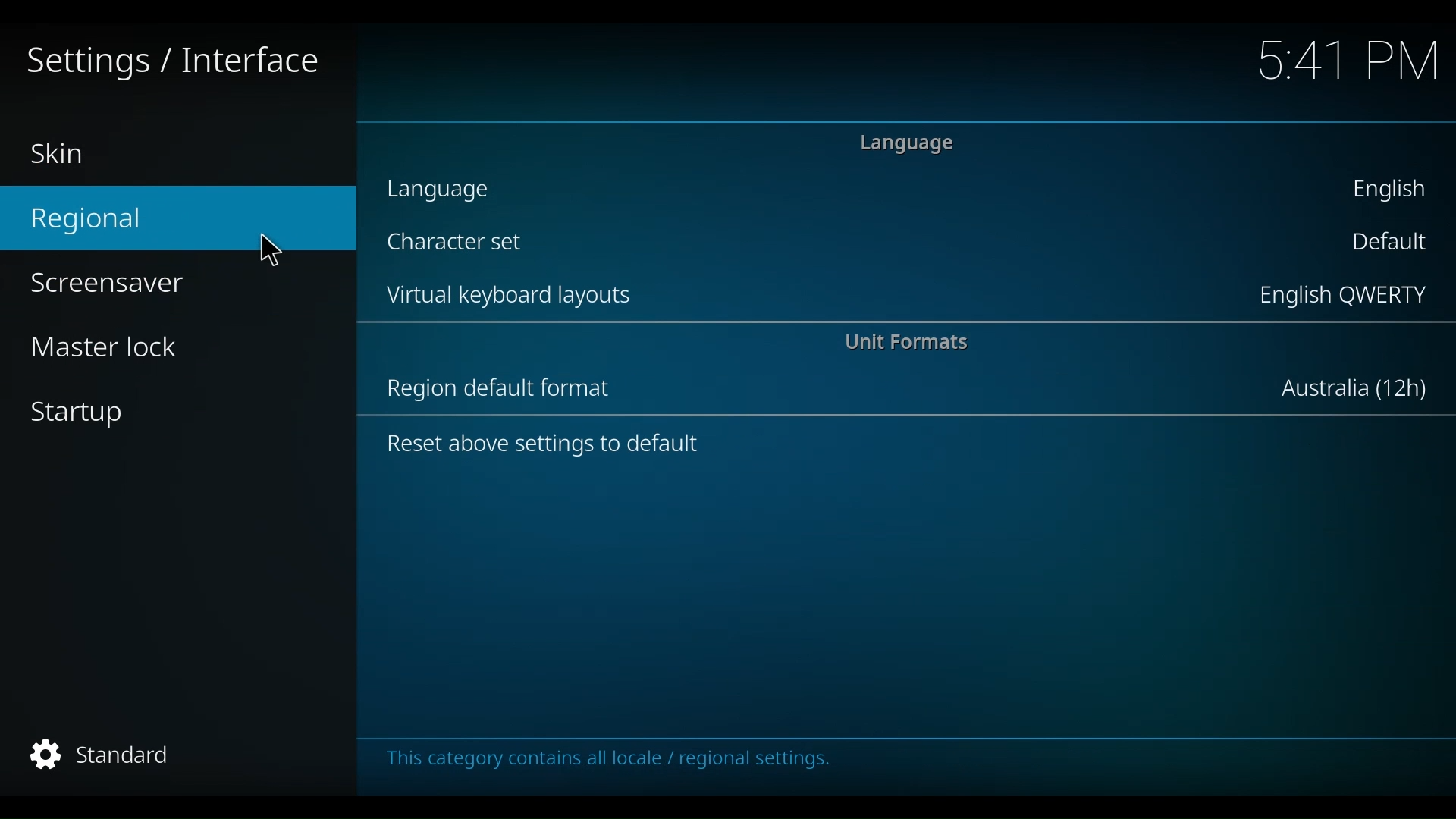 The width and height of the screenshot is (1456, 819). Describe the element at coordinates (79, 416) in the screenshot. I see `Startup` at that location.